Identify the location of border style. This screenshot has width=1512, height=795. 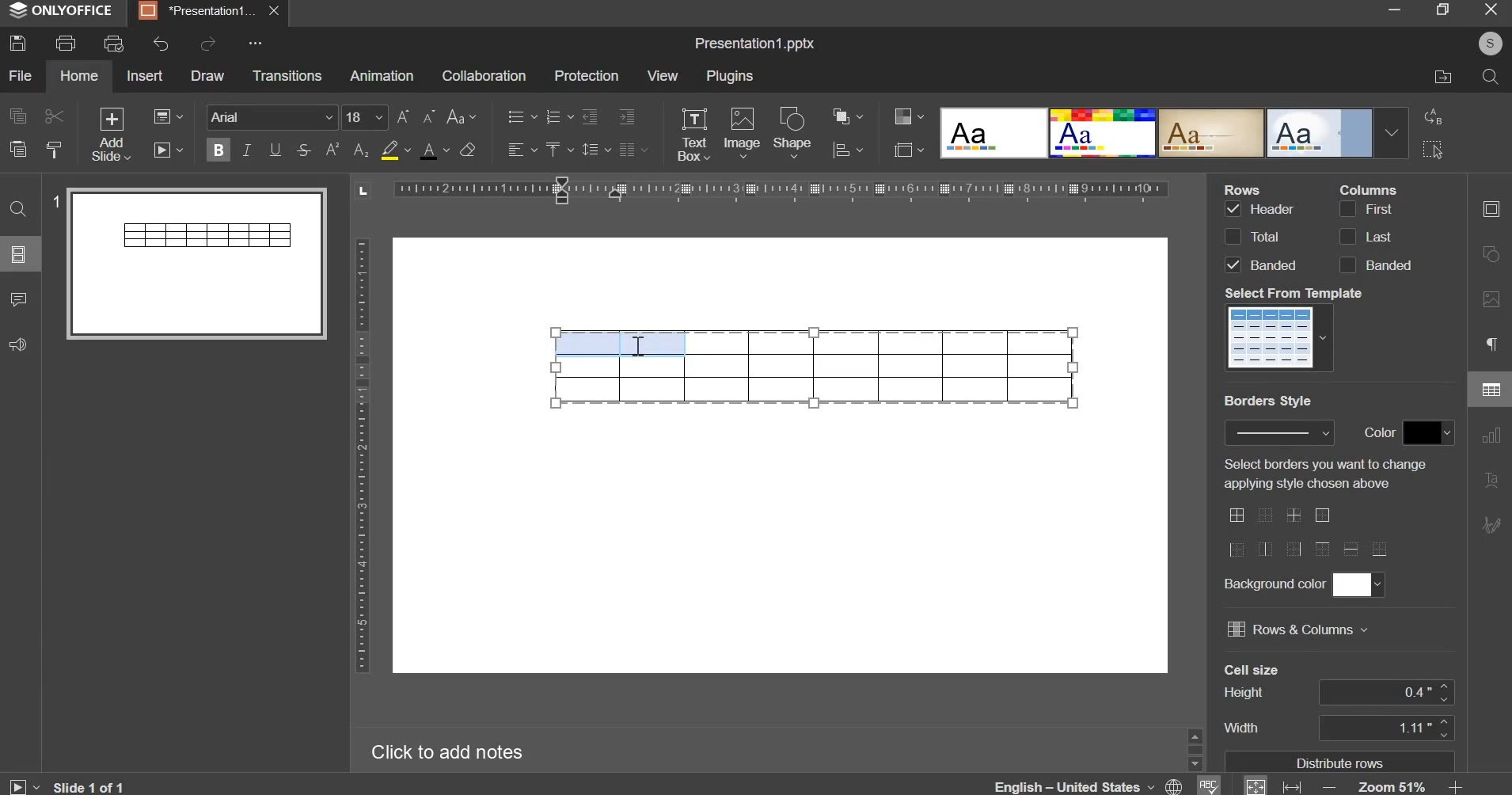
(1279, 432).